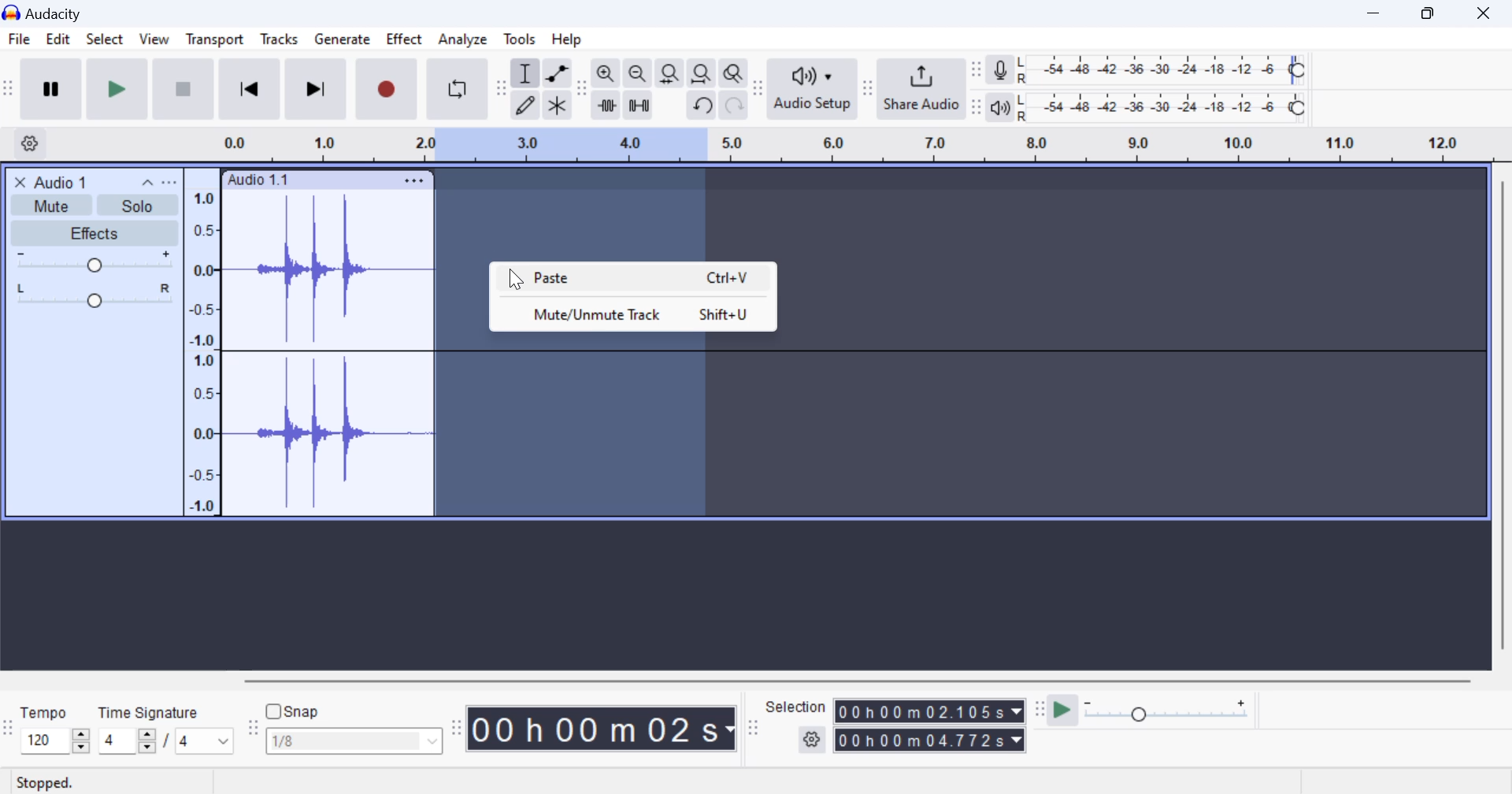  What do you see at coordinates (558, 106) in the screenshot?
I see `multi tool` at bounding box center [558, 106].